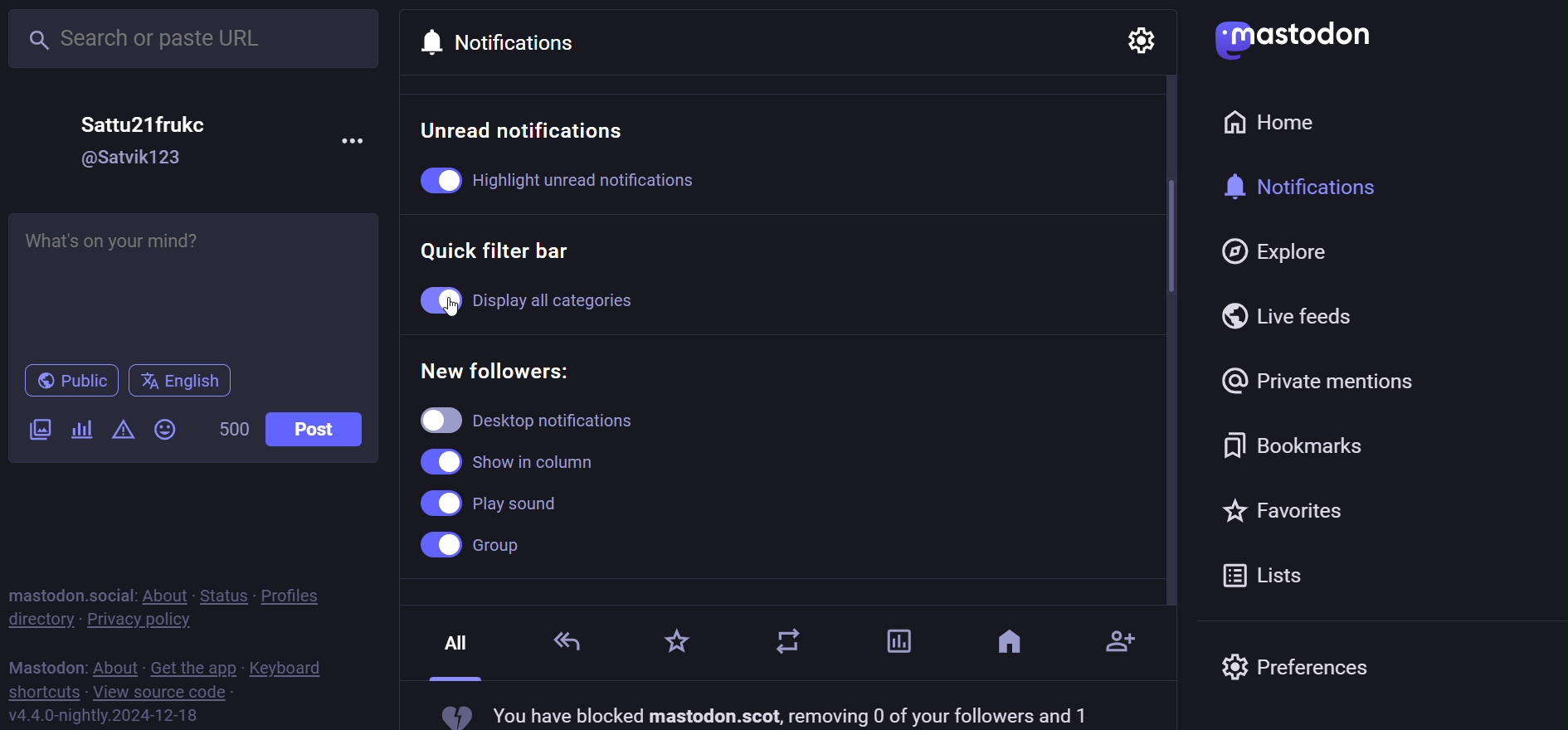  Describe the element at coordinates (675, 643) in the screenshot. I see `favorite` at that location.